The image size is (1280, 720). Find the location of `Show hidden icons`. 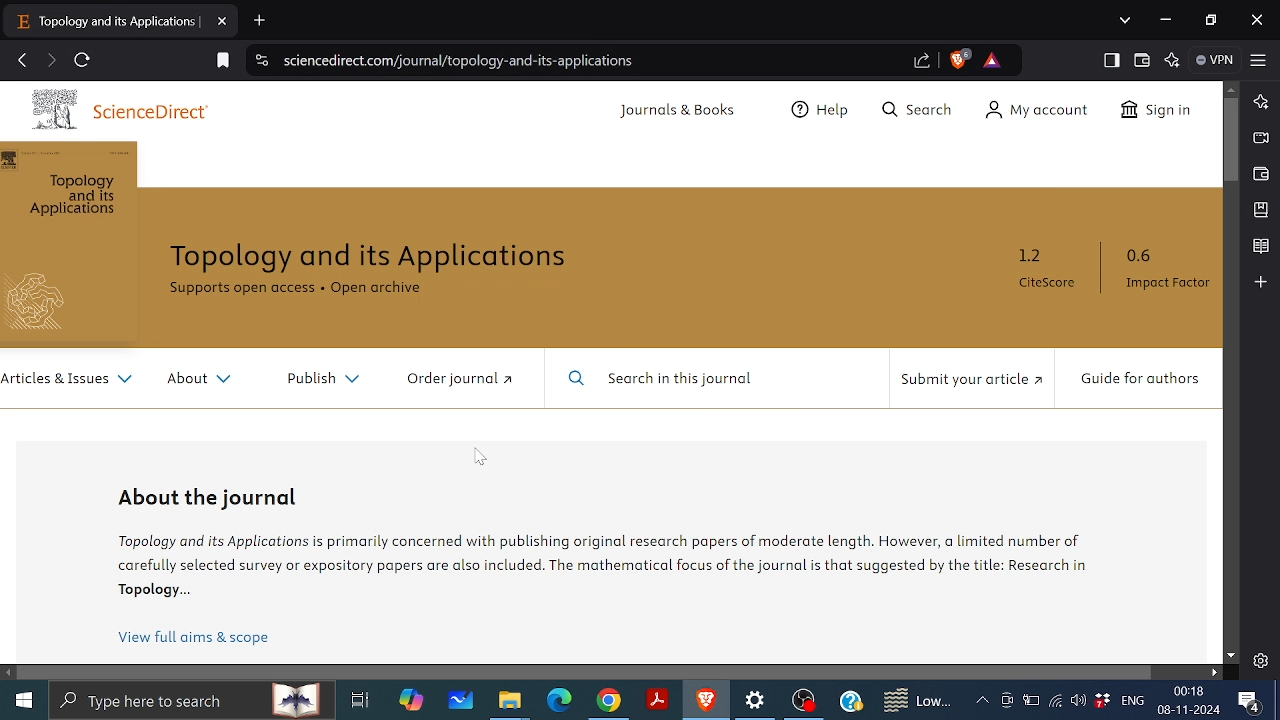

Show hidden icons is located at coordinates (982, 700).